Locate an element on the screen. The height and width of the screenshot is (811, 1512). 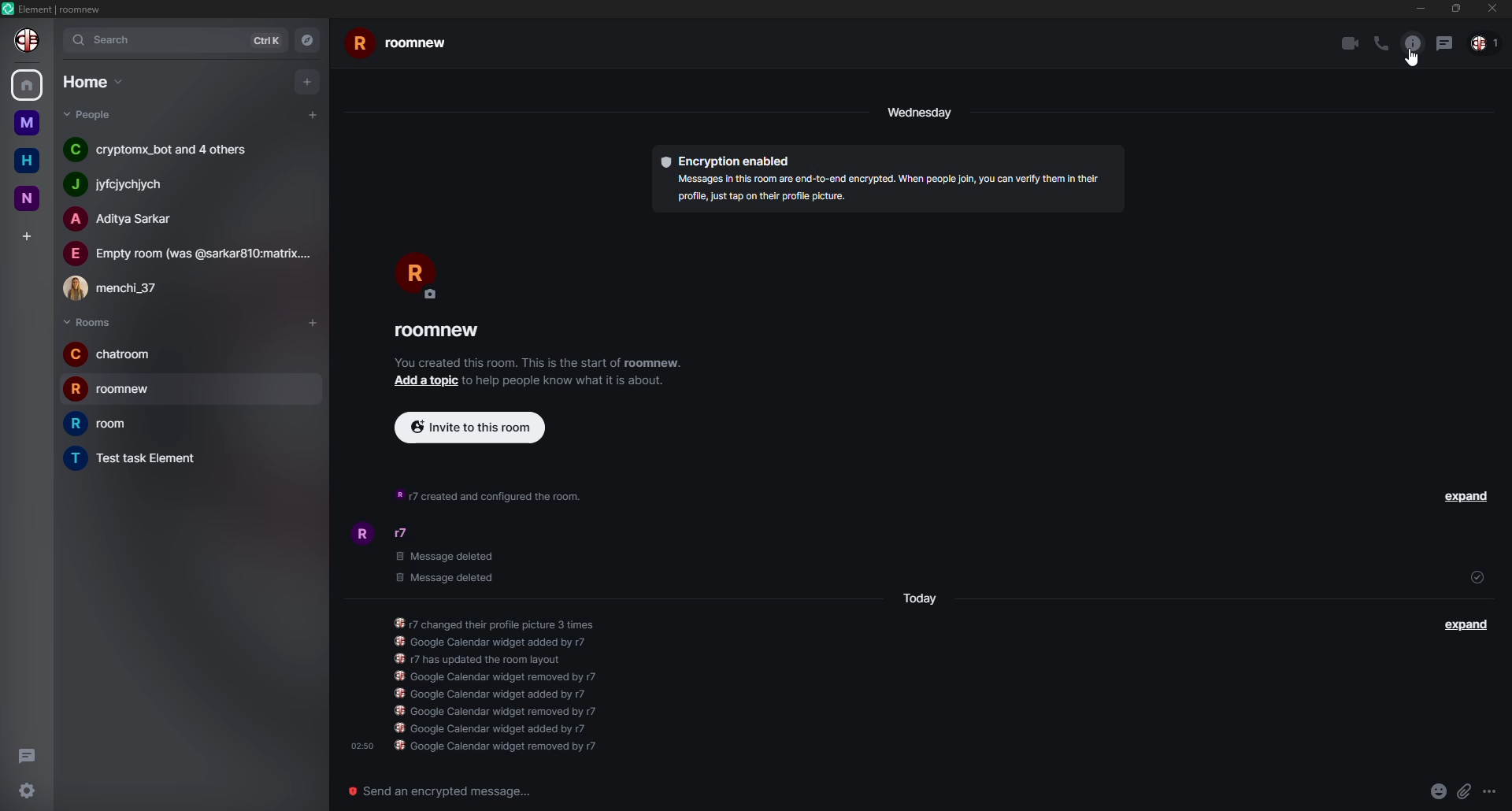
room is located at coordinates (113, 388).